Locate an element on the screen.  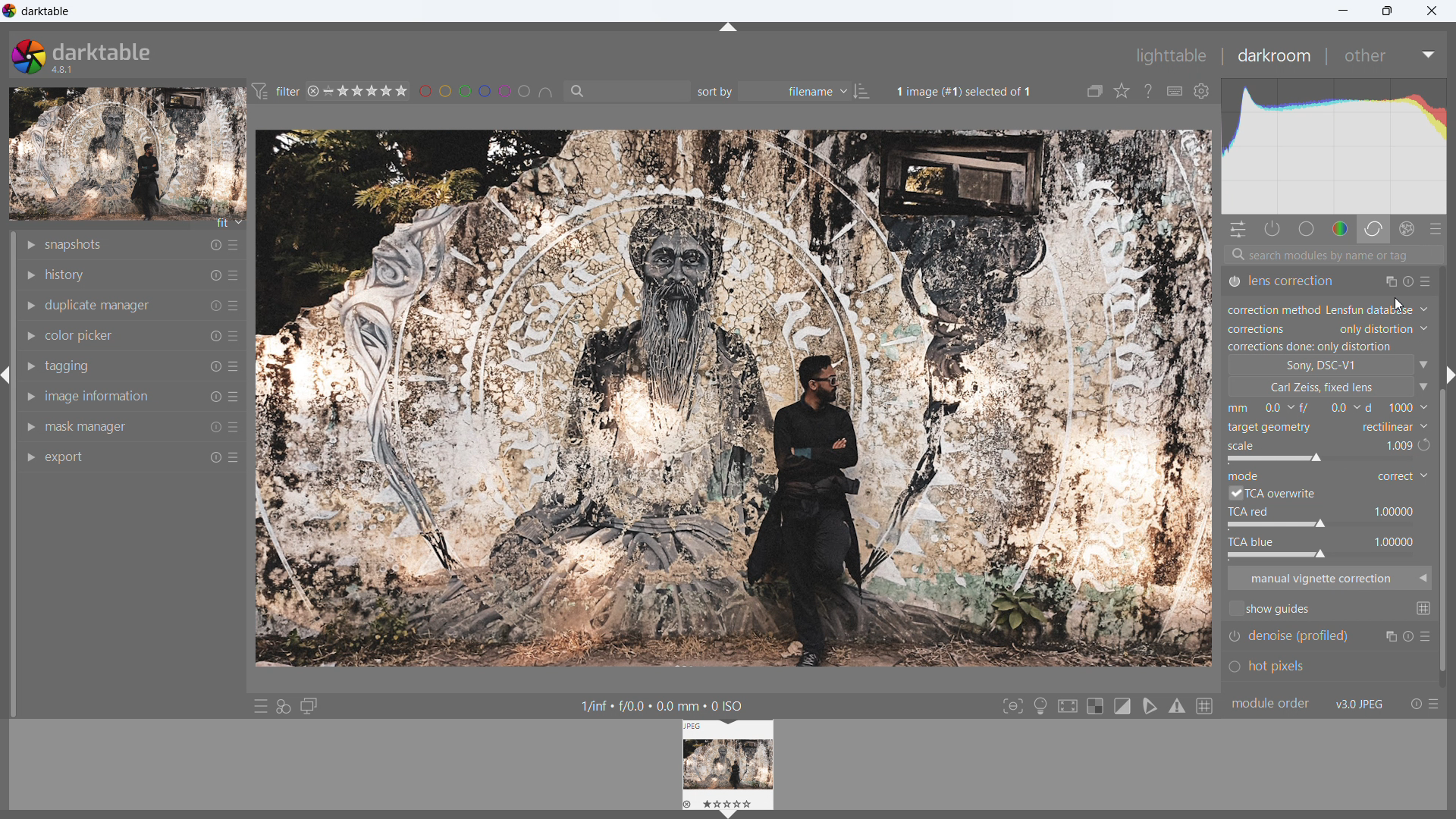
toggle indication for raw overexposure is located at coordinates (1096, 706).